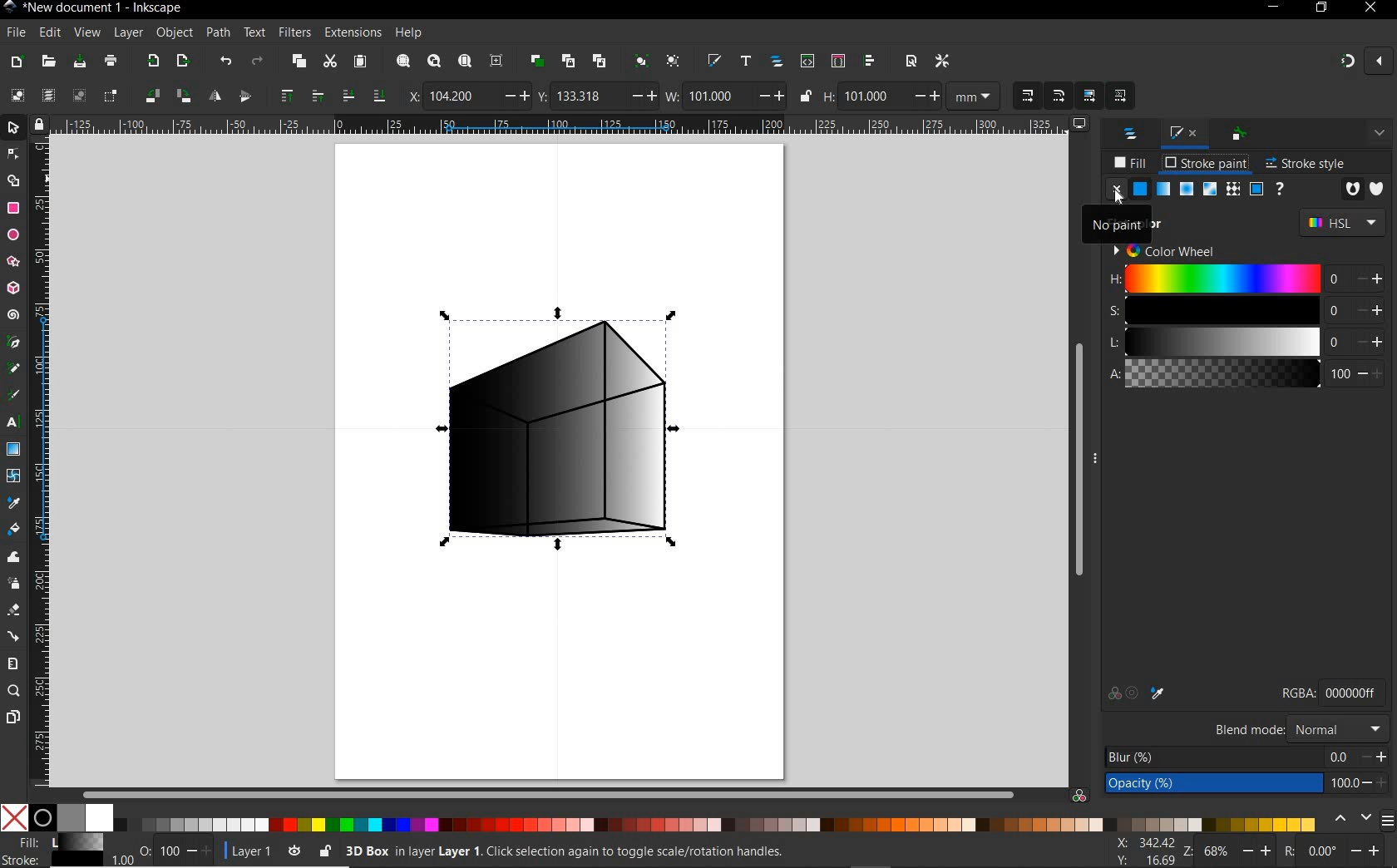  Describe the element at coordinates (1131, 162) in the screenshot. I see `FILL` at that location.